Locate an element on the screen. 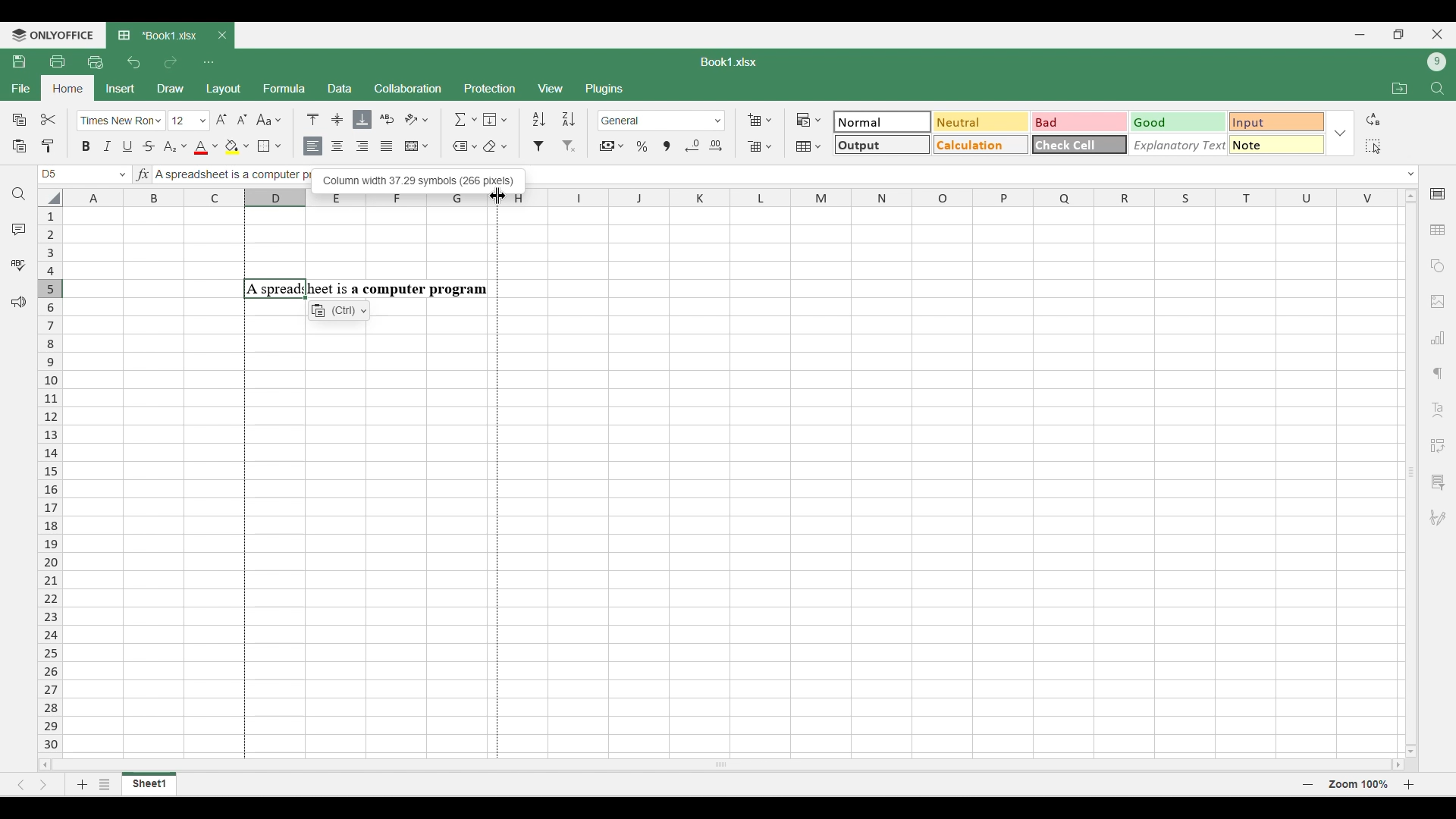 The width and height of the screenshot is (1456, 819). Book1.xlsx is located at coordinates (729, 62).